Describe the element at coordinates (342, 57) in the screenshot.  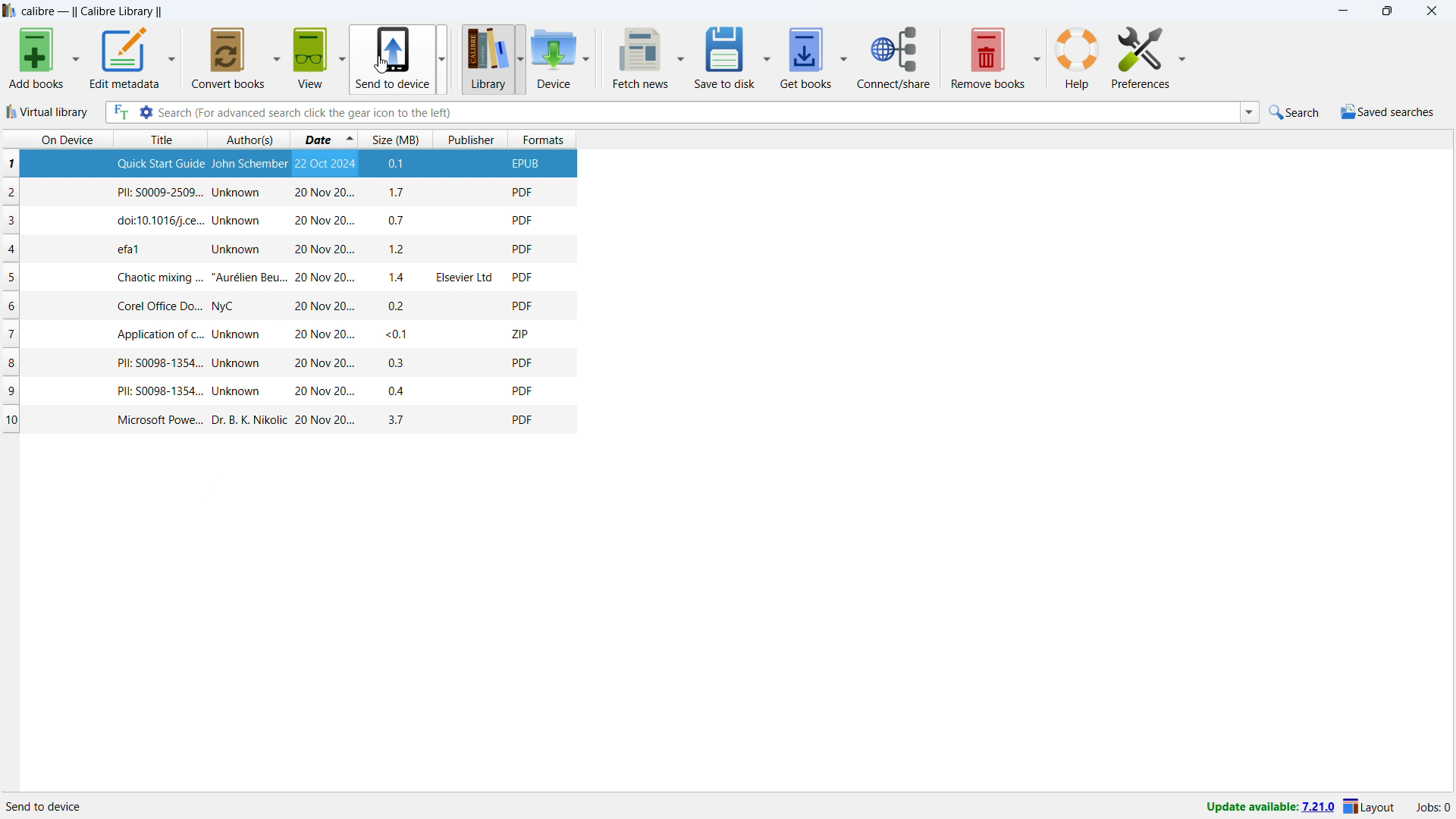
I see `view options` at that location.